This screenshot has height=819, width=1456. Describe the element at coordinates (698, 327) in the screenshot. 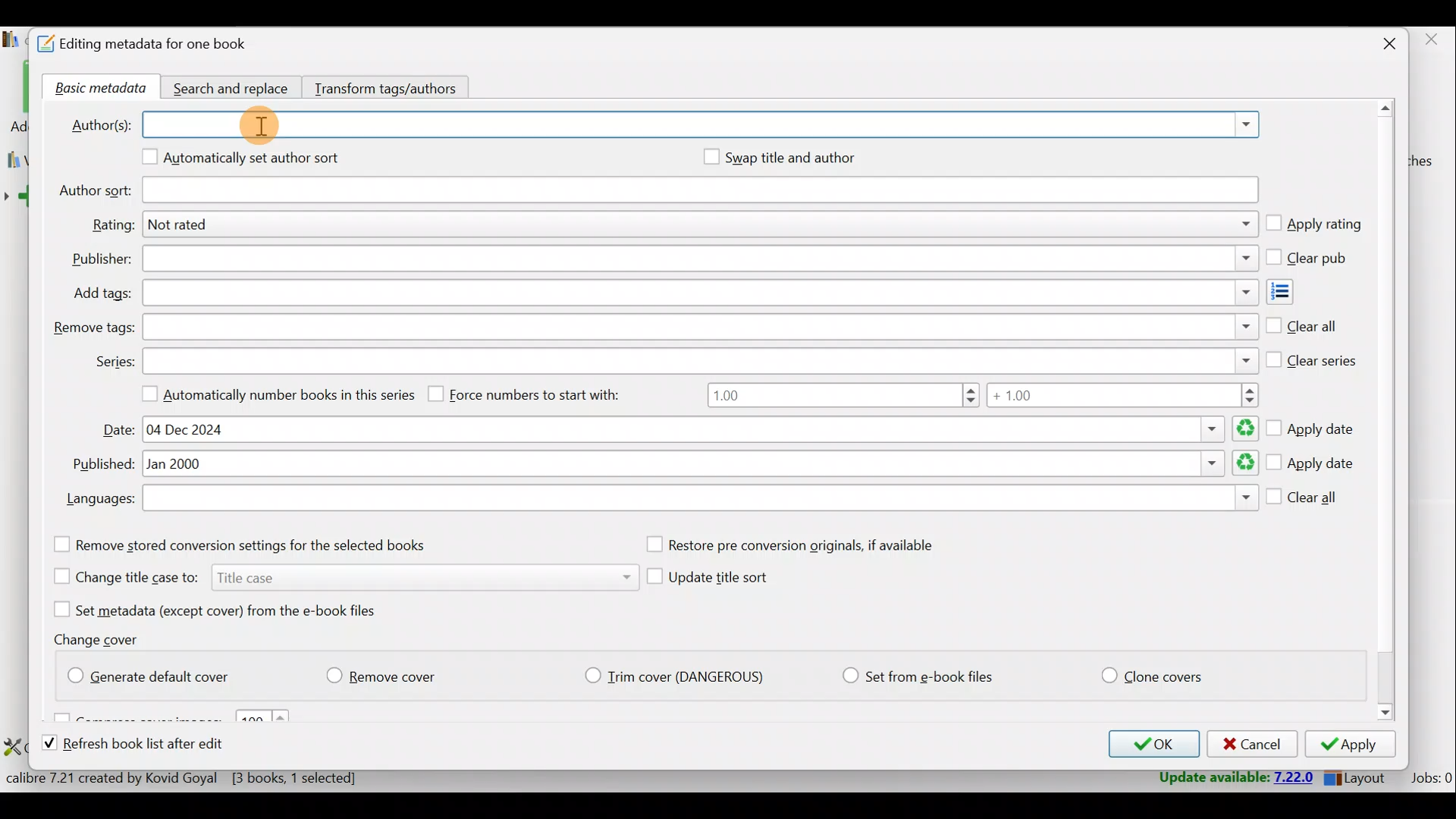

I see `Remove tags` at that location.